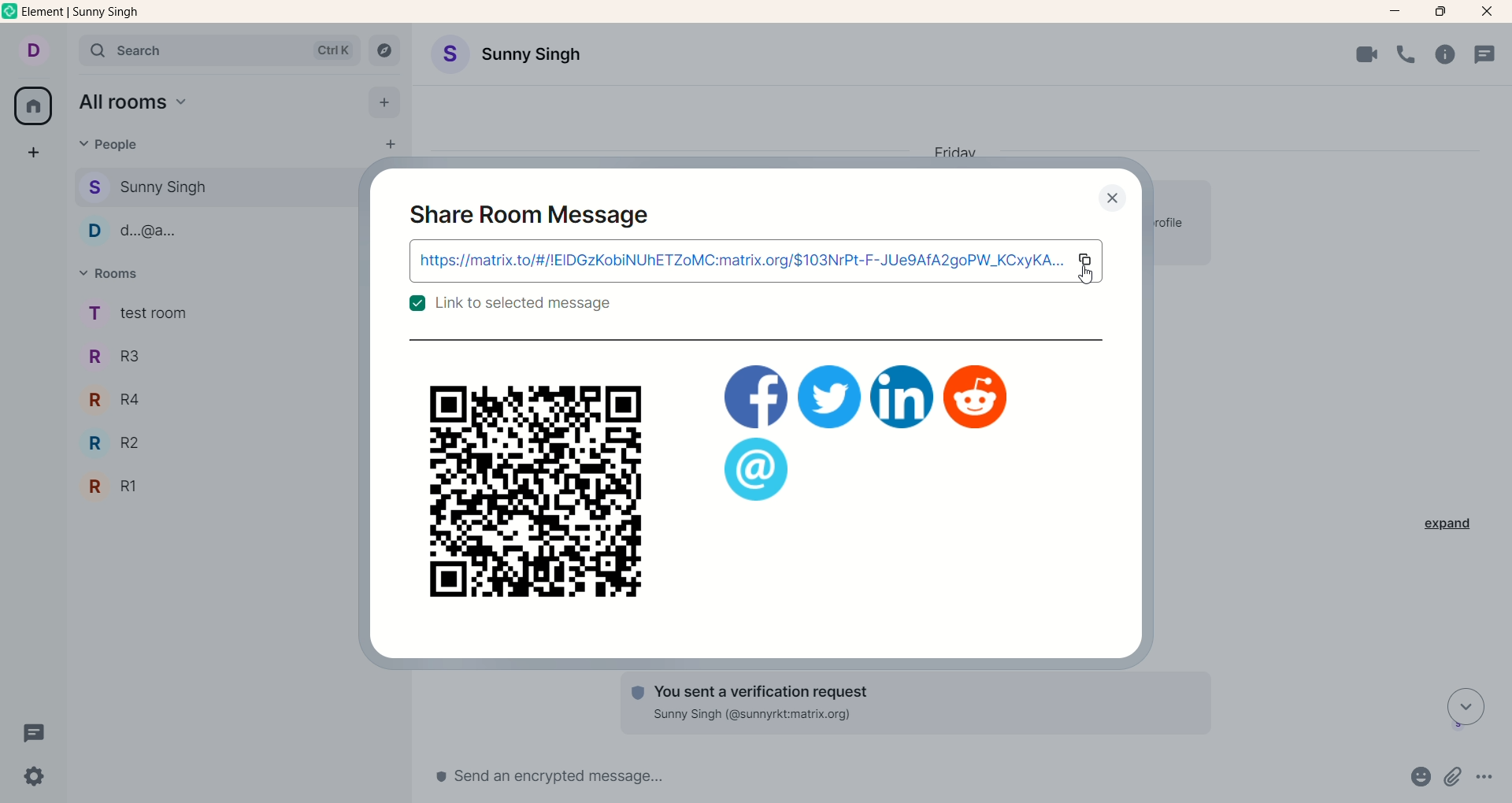 This screenshot has height=803, width=1512. I want to click on create a space, so click(35, 156).